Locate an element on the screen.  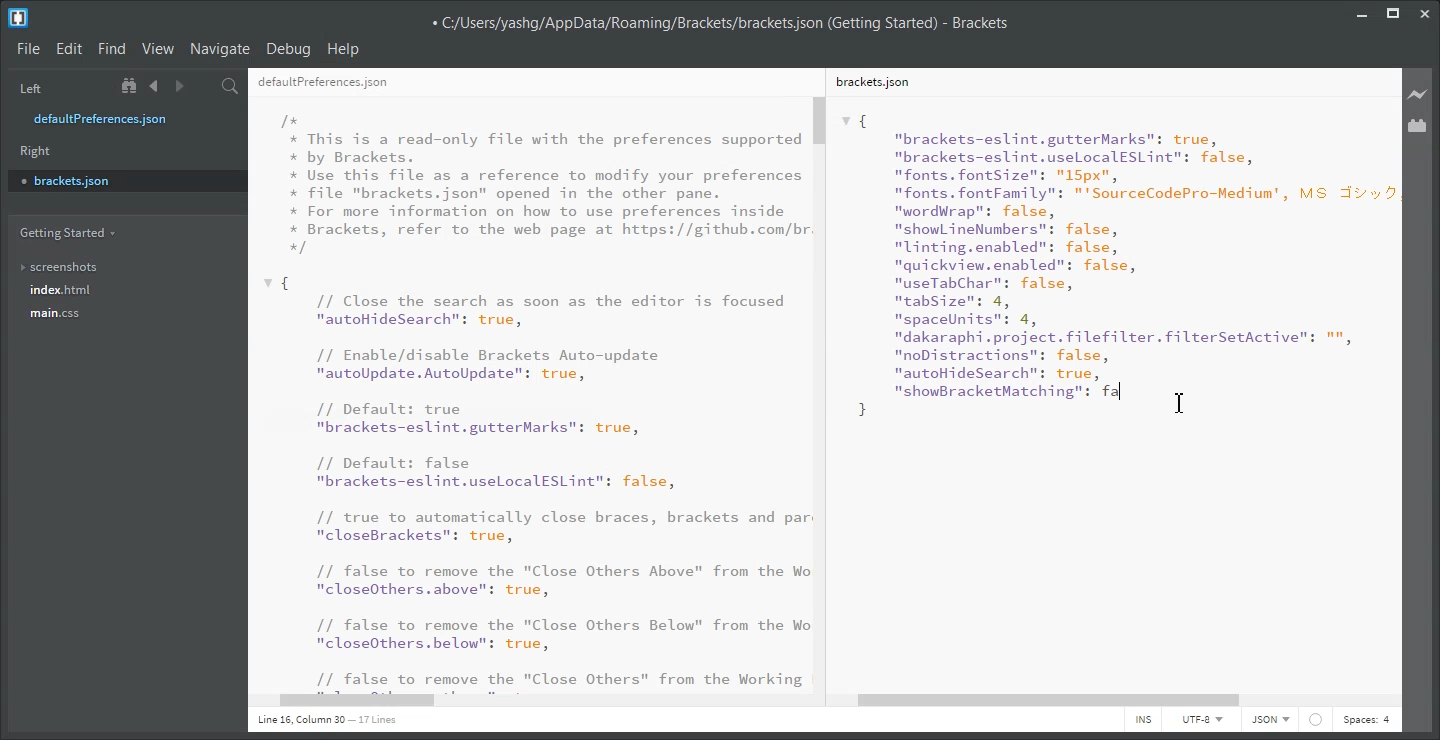
Show in the file tree is located at coordinates (131, 86).